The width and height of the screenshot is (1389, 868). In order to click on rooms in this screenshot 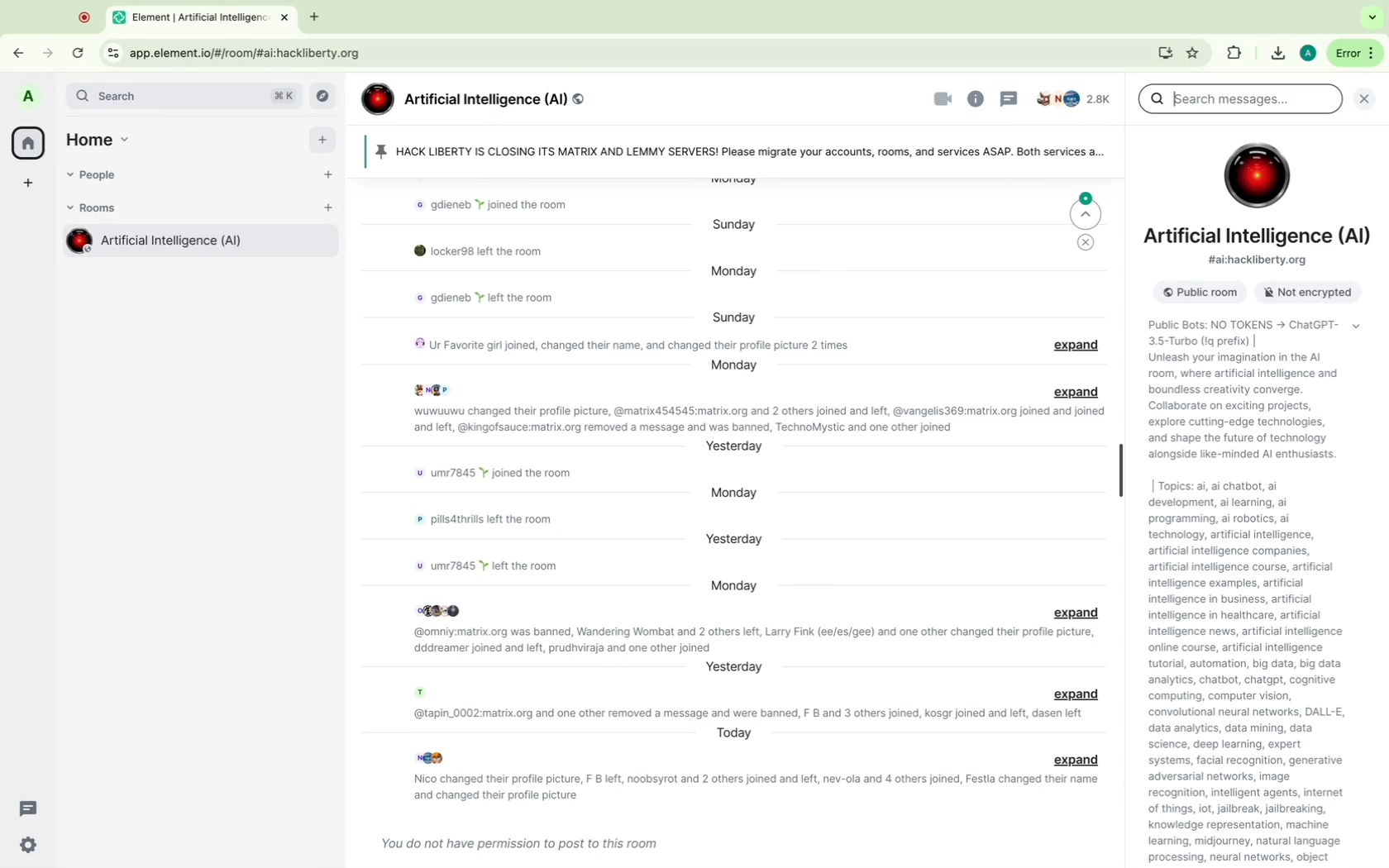, I will do `click(97, 208)`.